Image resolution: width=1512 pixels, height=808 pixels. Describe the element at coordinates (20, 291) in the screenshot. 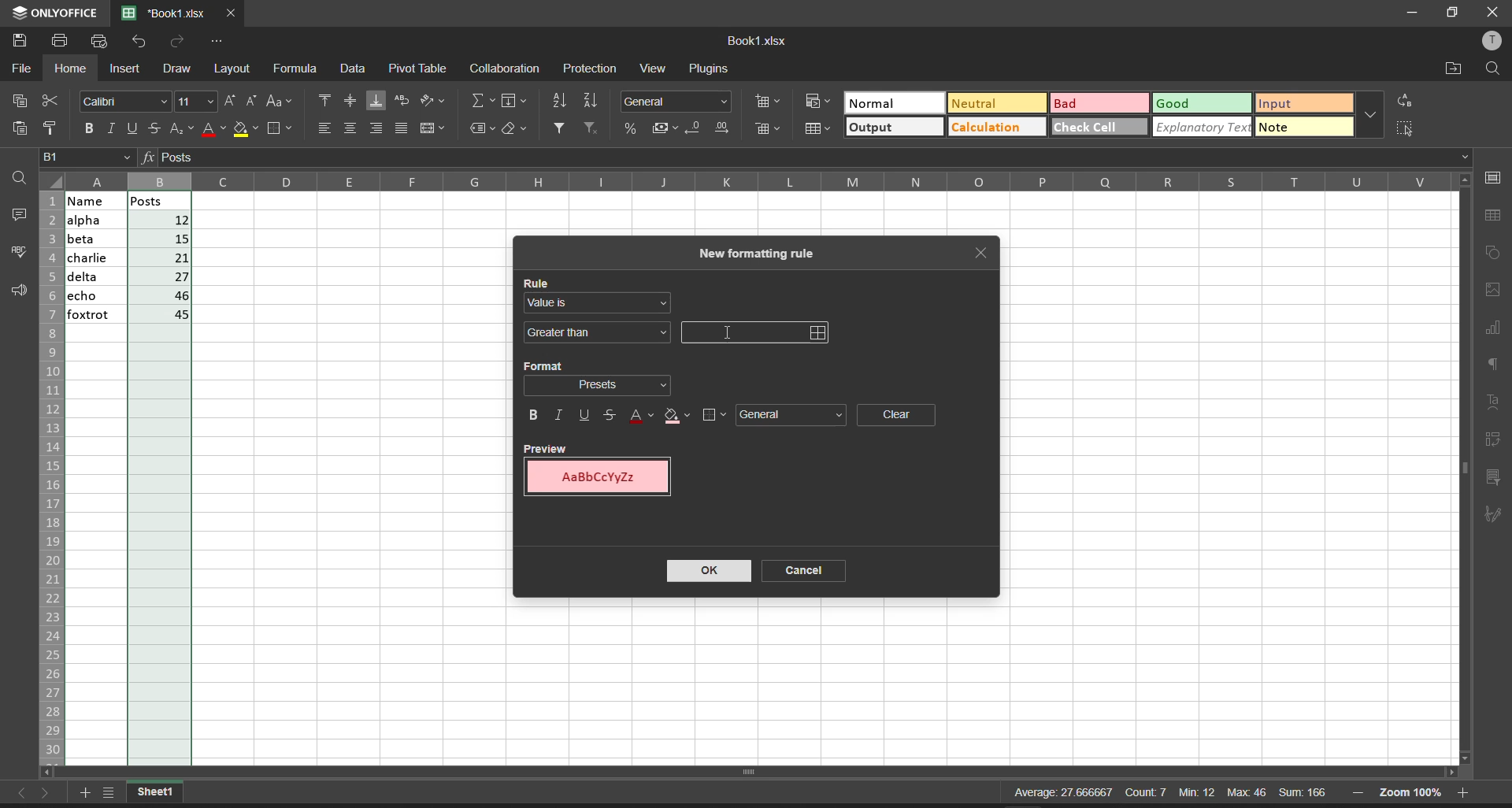

I see `support and feedback` at that location.